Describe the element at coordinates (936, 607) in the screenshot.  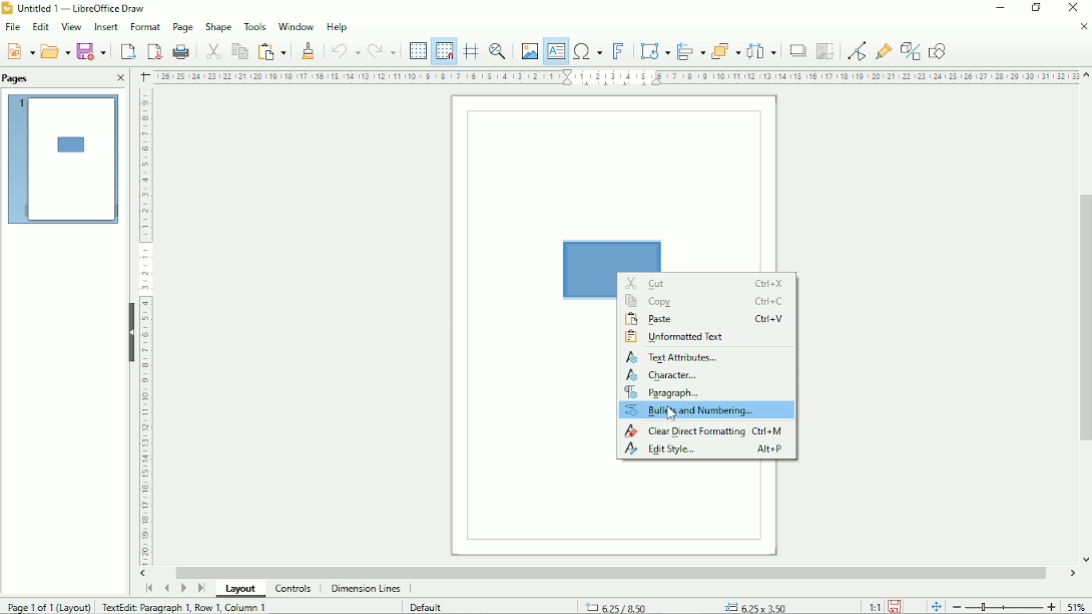
I see `fit page to current window` at that location.